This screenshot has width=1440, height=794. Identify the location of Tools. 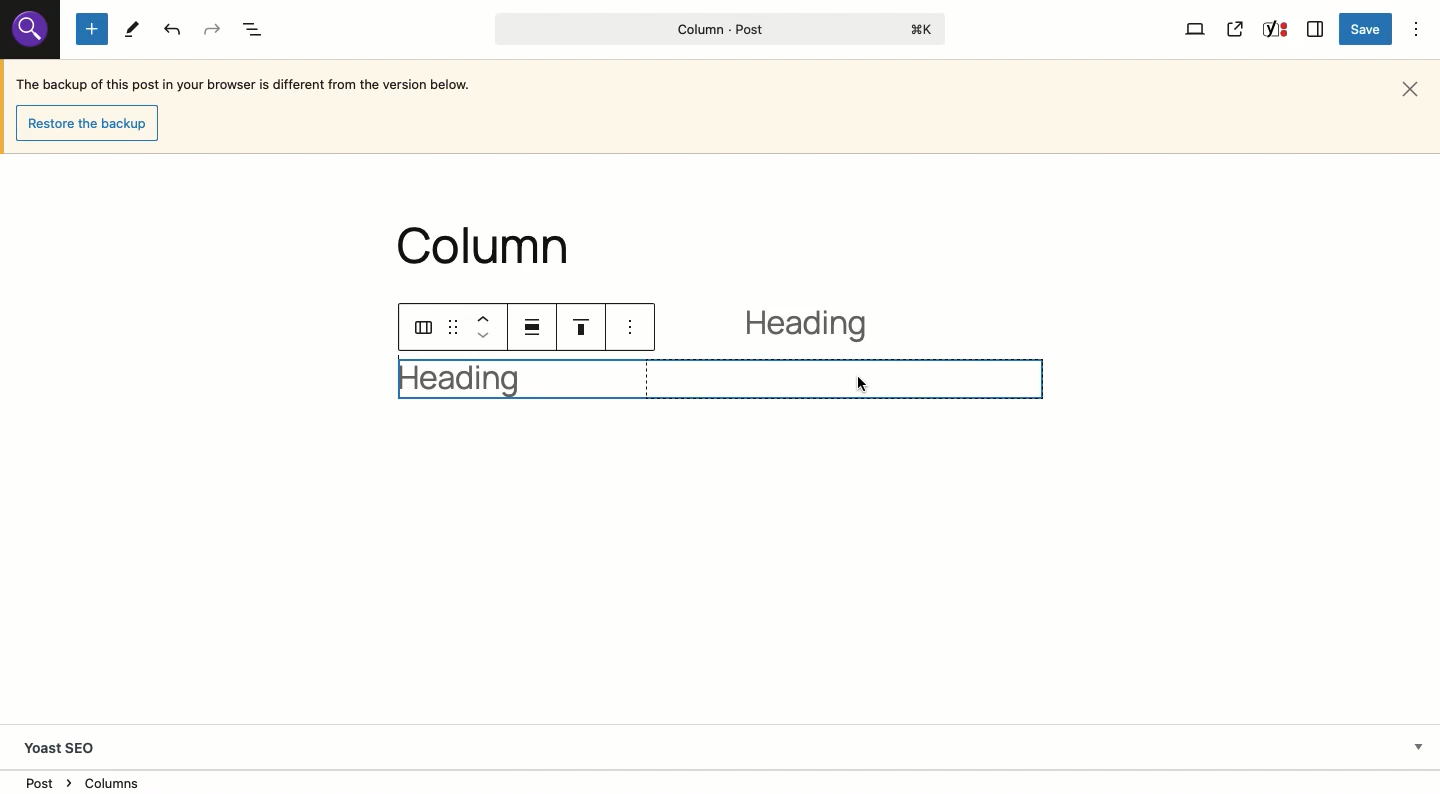
(132, 30).